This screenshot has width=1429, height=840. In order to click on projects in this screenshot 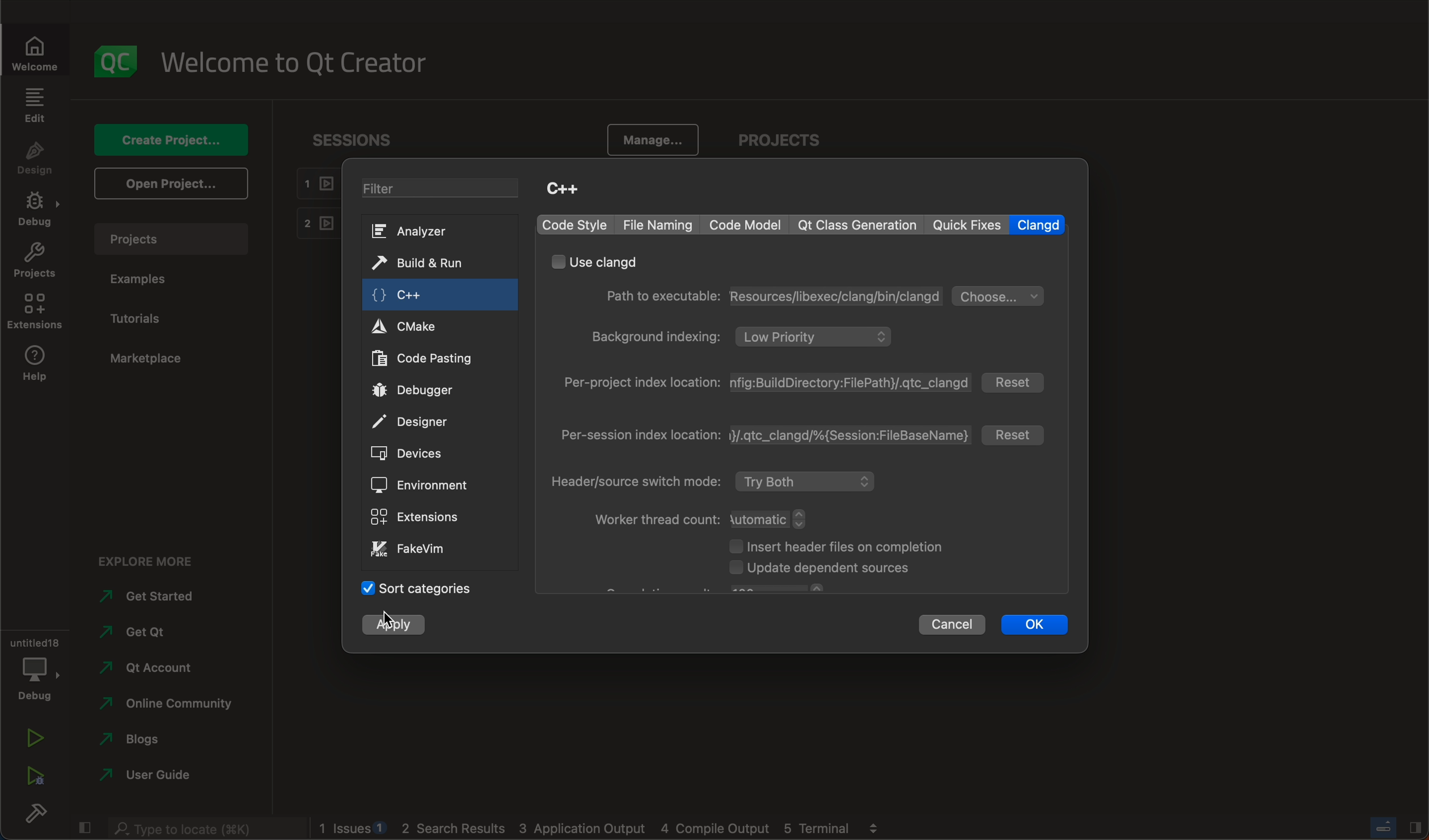, I will do `click(171, 239)`.